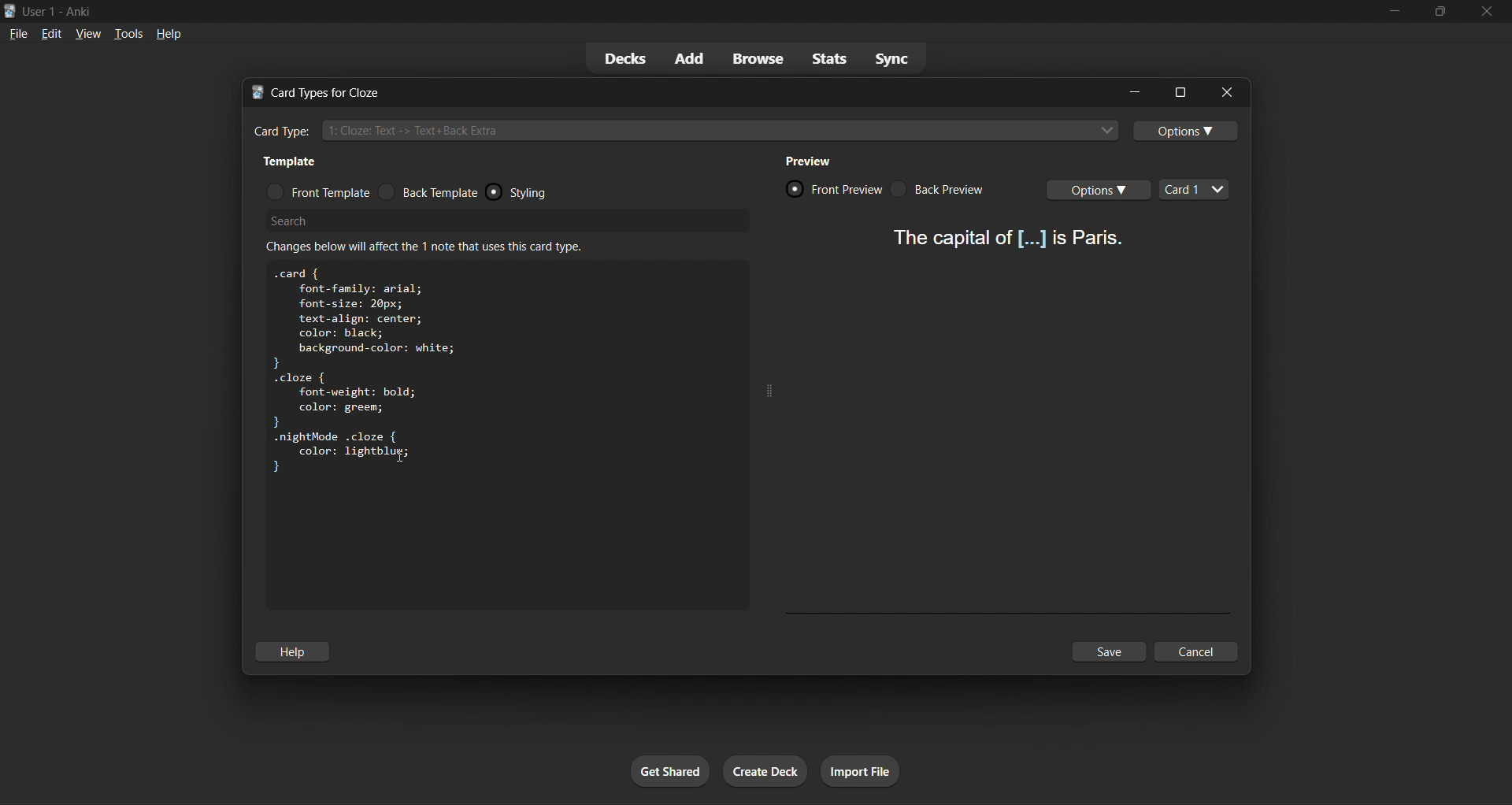  Describe the element at coordinates (828, 60) in the screenshot. I see `stats` at that location.